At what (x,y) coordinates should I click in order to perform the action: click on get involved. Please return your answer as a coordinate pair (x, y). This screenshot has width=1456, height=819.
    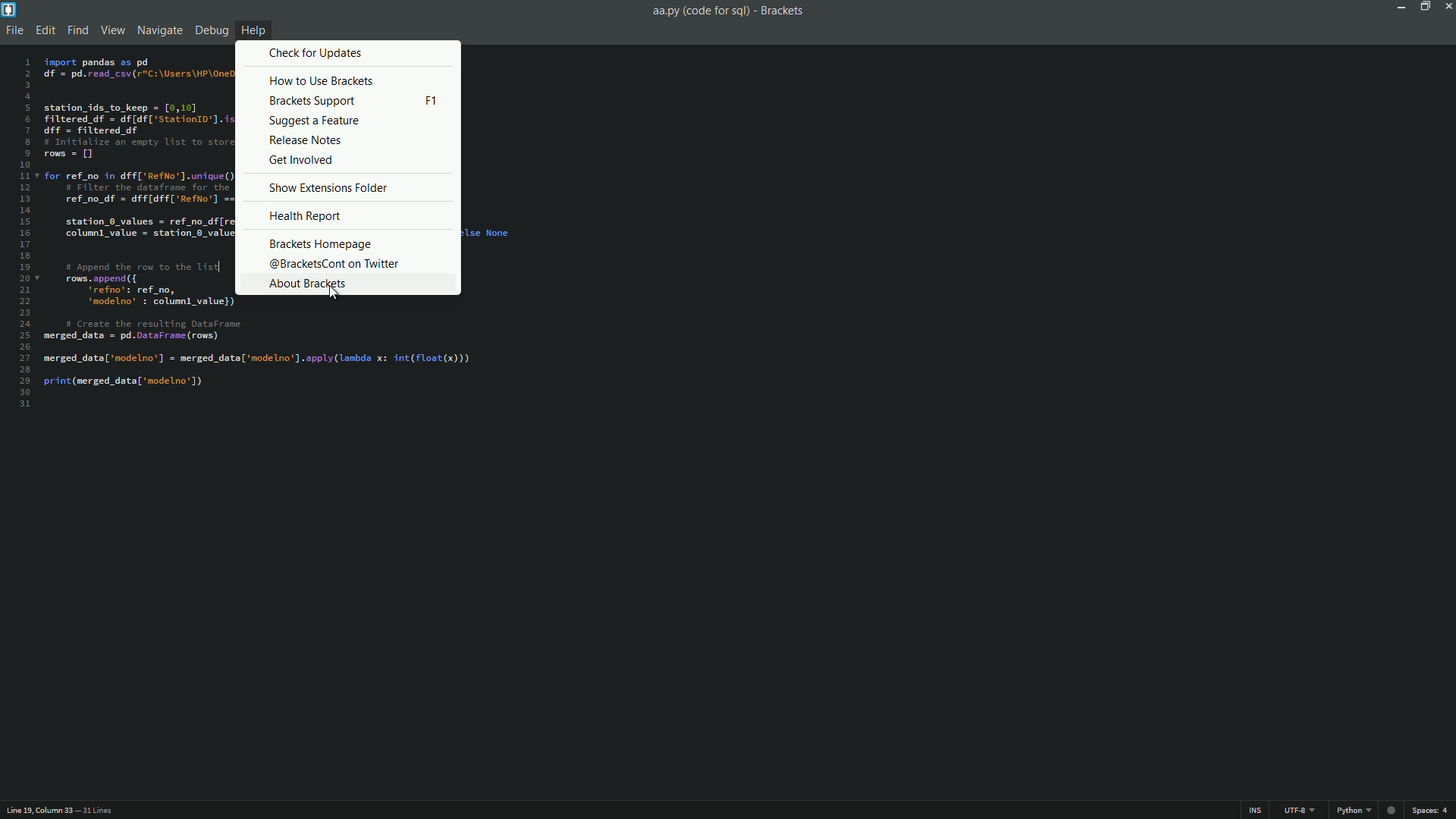
    Looking at the image, I should click on (303, 159).